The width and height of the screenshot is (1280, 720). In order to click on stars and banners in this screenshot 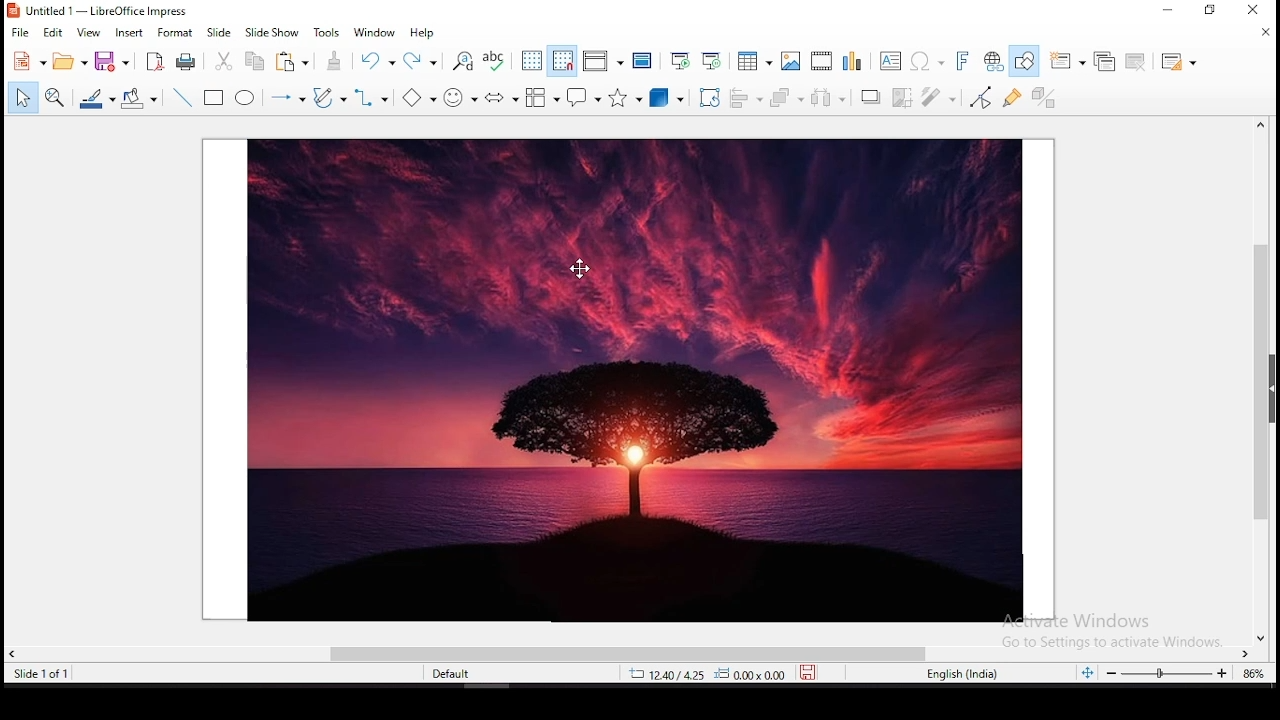, I will do `click(627, 98)`.